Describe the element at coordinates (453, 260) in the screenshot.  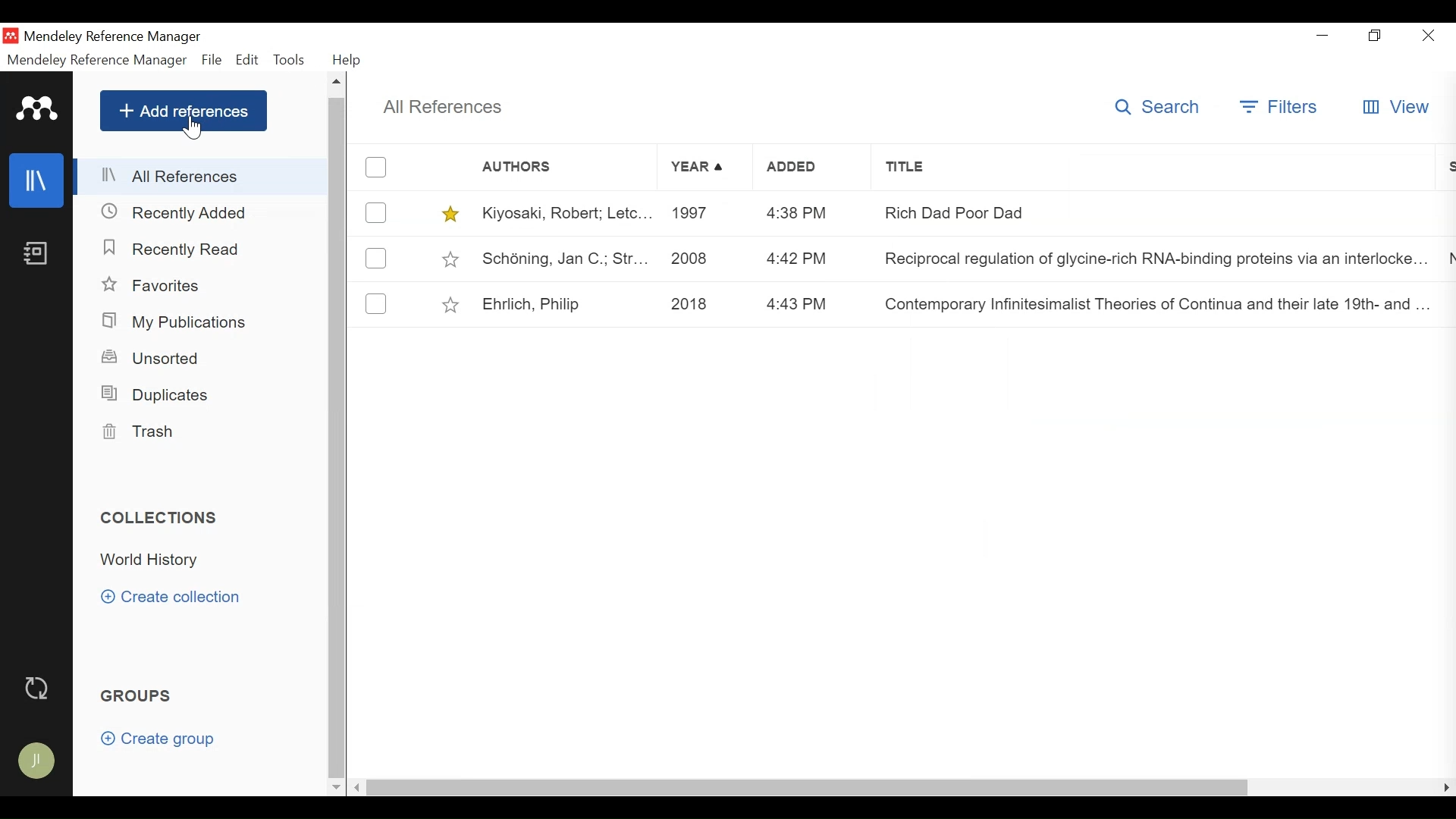
I see `Toggle favorites` at that location.